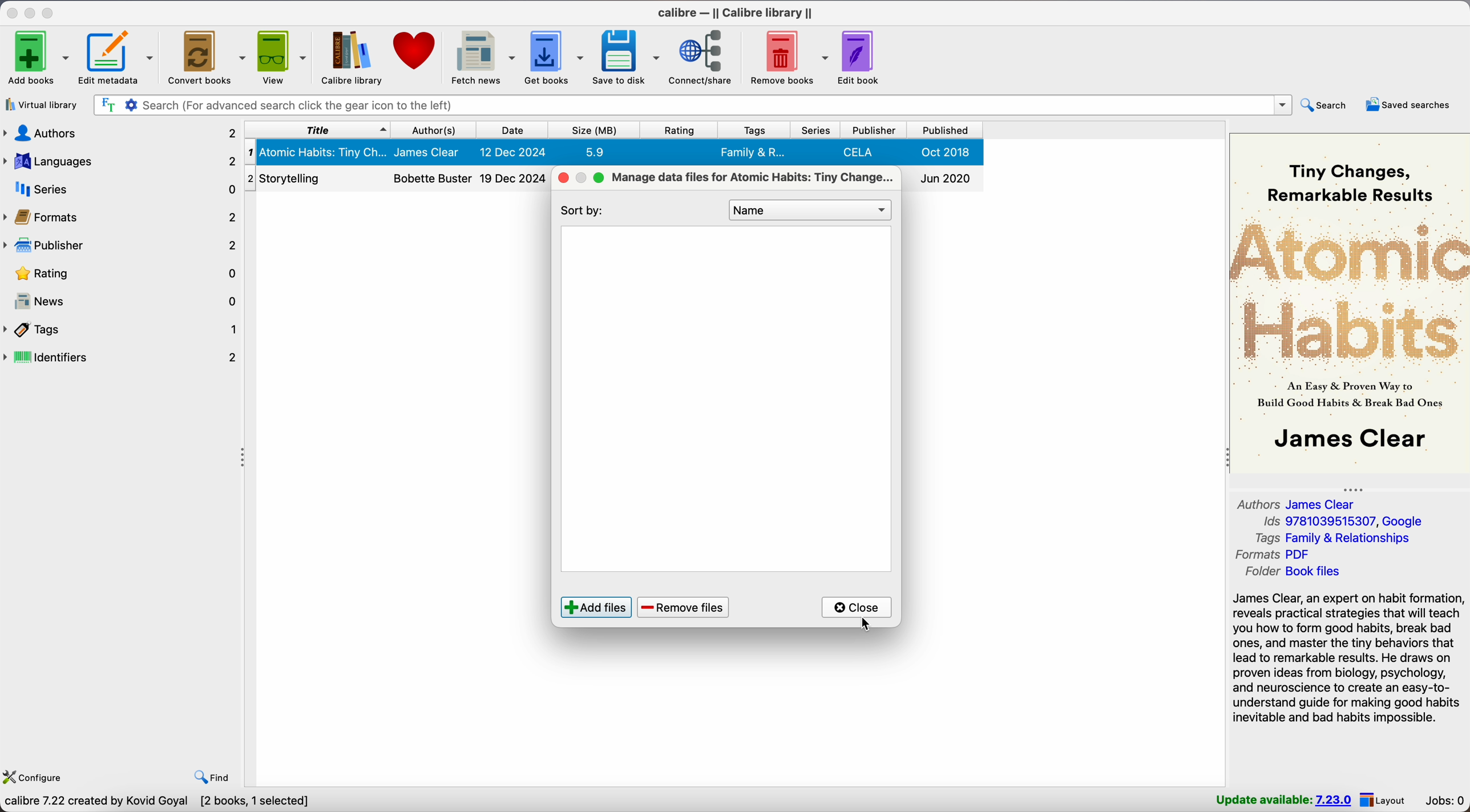 The image size is (1470, 812). What do you see at coordinates (32, 13) in the screenshot?
I see `minimize Calibre` at bounding box center [32, 13].